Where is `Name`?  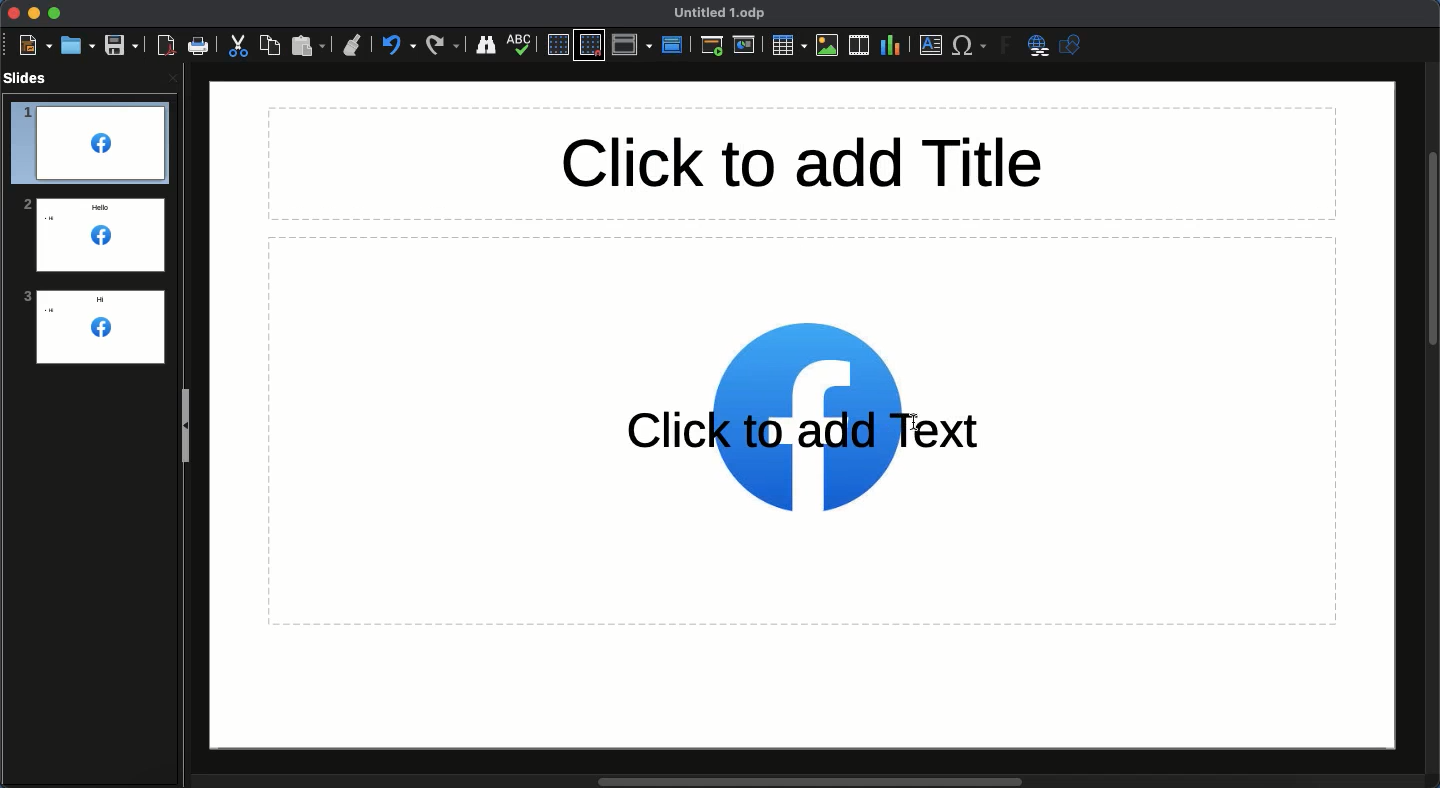
Name is located at coordinates (716, 12).